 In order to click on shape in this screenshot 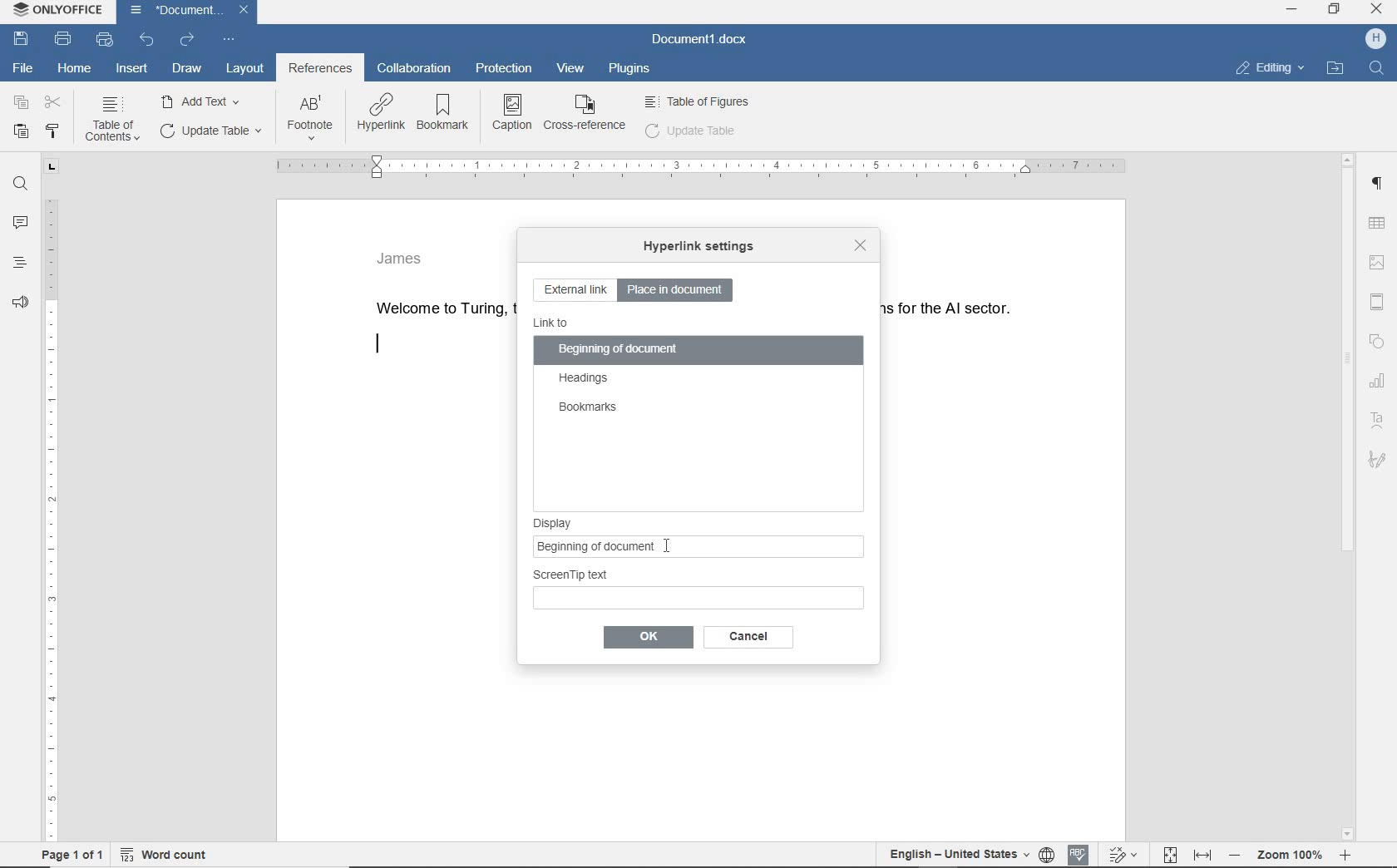, I will do `click(1377, 343)`.